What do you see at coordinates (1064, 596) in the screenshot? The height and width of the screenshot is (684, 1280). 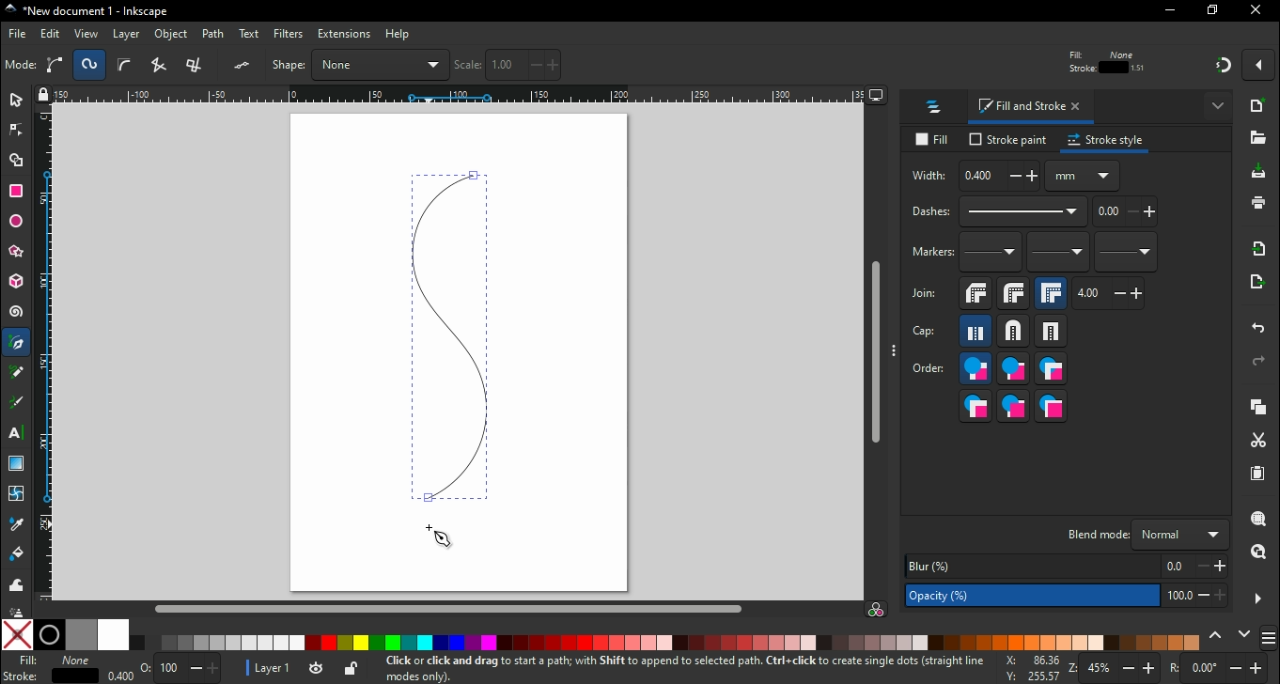 I see `opacity` at bounding box center [1064, 596].